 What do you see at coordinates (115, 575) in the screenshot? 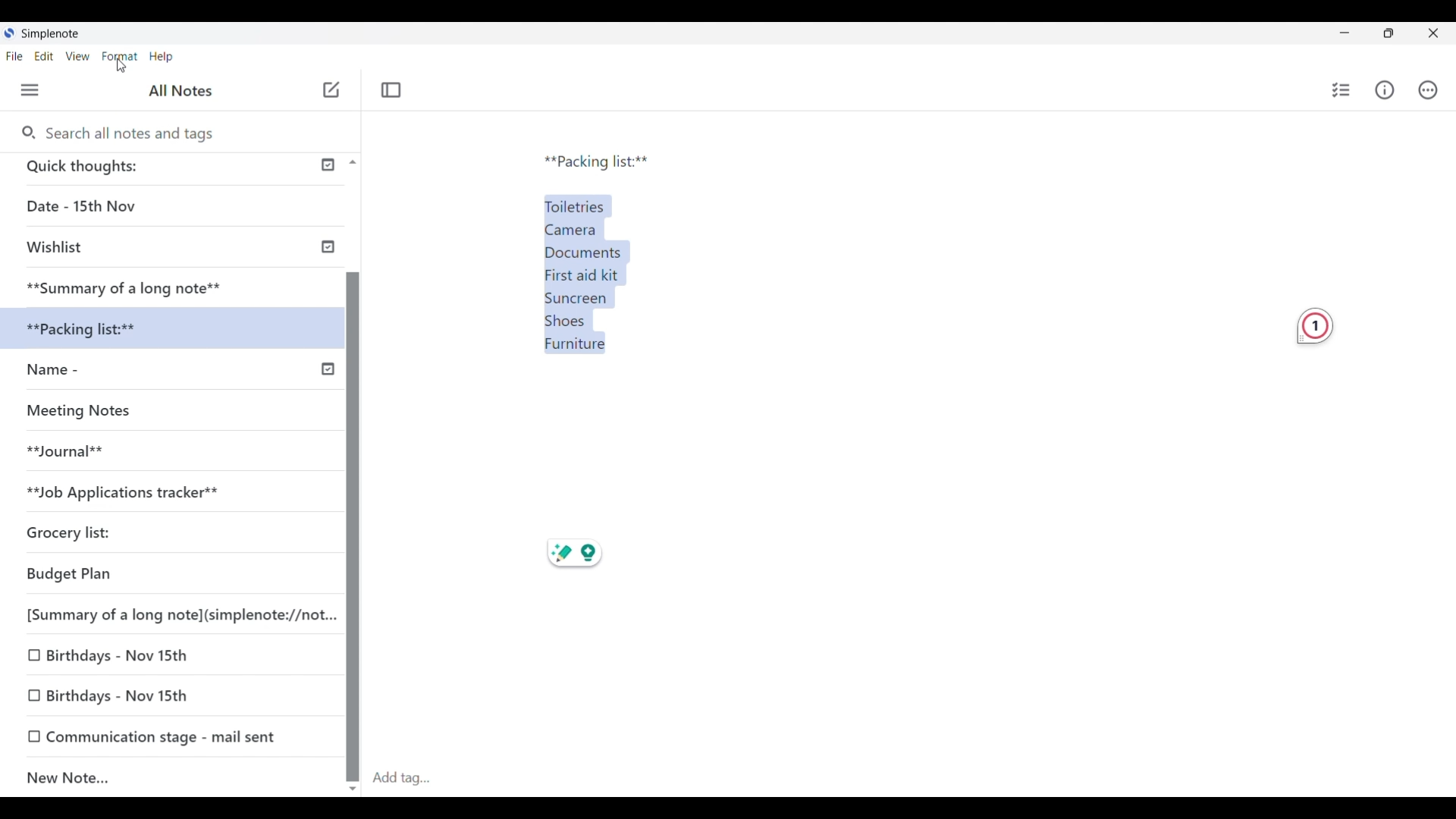
I see `Budget Plan` at bounding box center [115, 575].